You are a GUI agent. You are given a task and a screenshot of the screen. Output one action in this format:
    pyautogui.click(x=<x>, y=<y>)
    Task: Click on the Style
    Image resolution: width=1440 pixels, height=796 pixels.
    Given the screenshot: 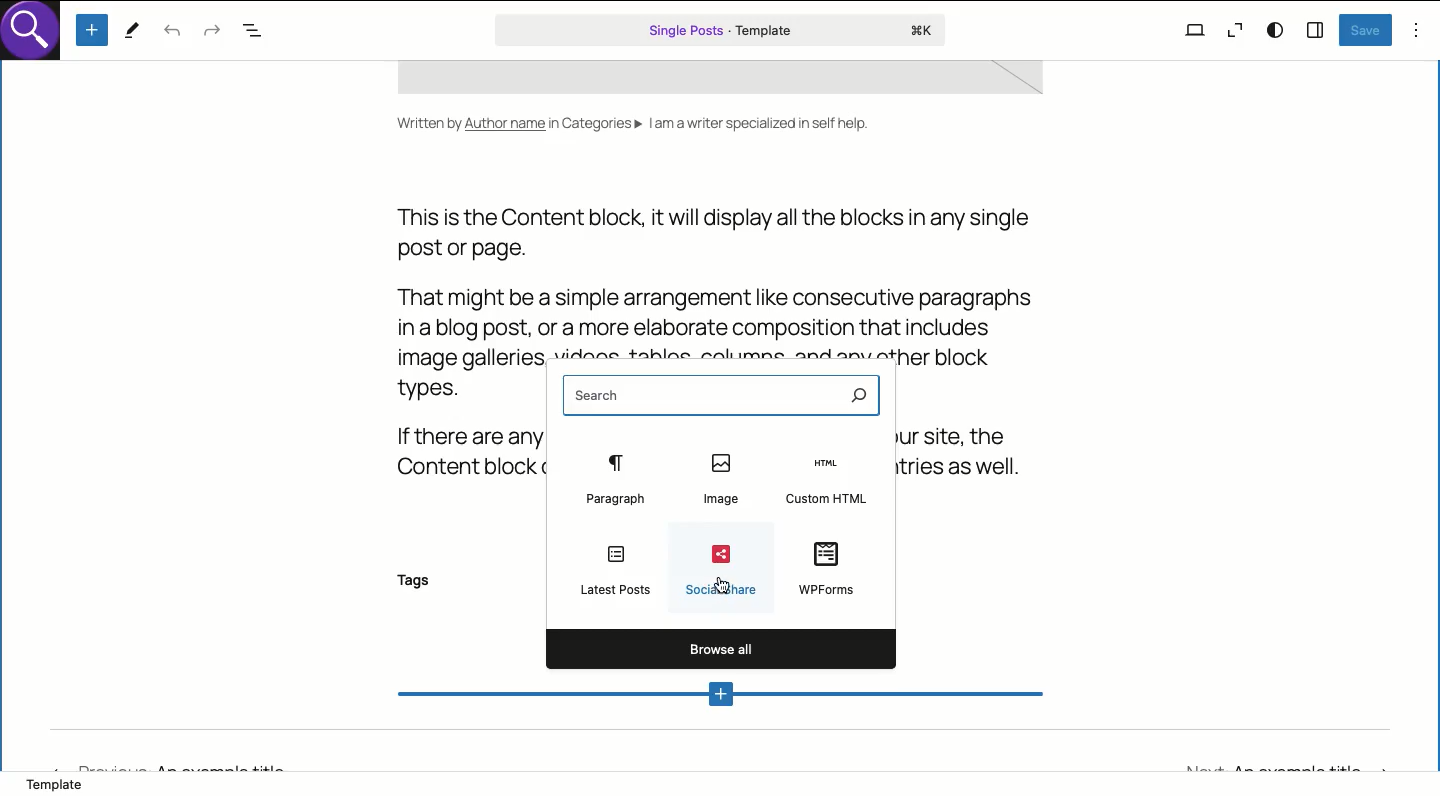 What is the action you would take?
    pyautogui.click(x=1277, y=30)
    